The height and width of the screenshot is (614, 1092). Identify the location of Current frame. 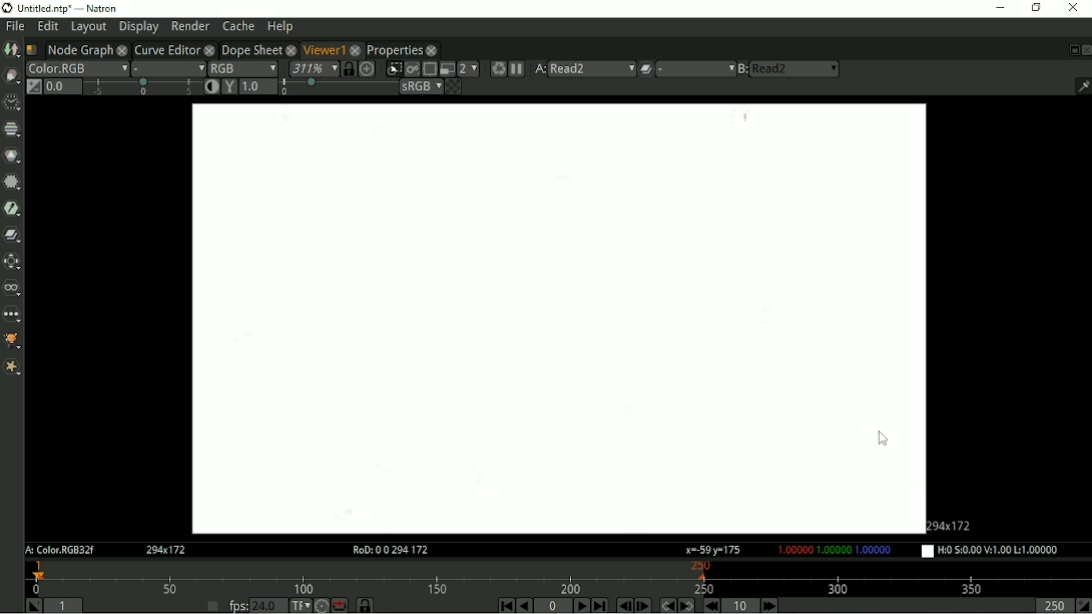
(553, 606).